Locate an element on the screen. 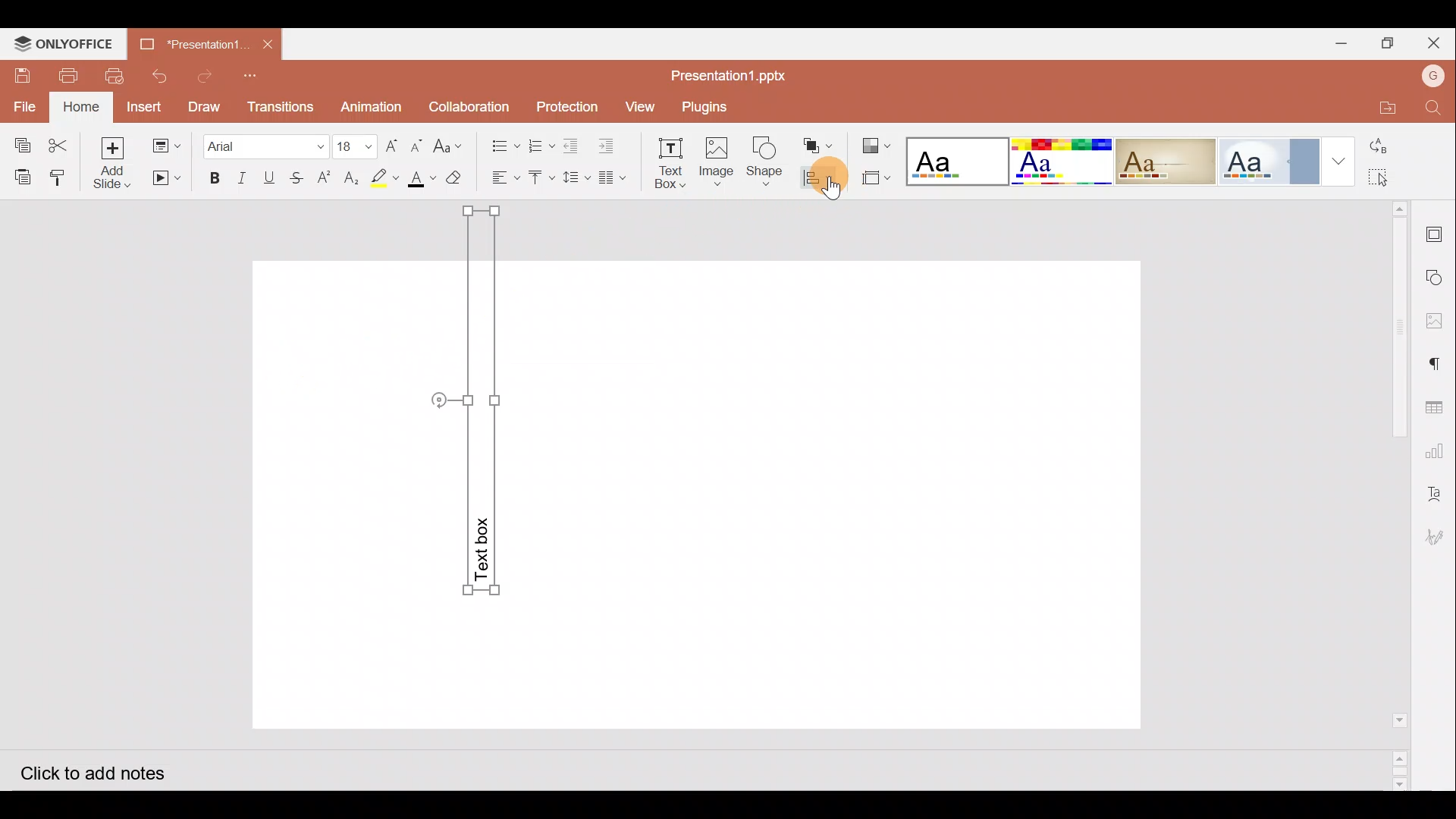 This screenshot has width=1456, height=819. Change case is located at coordinates (451, 143).